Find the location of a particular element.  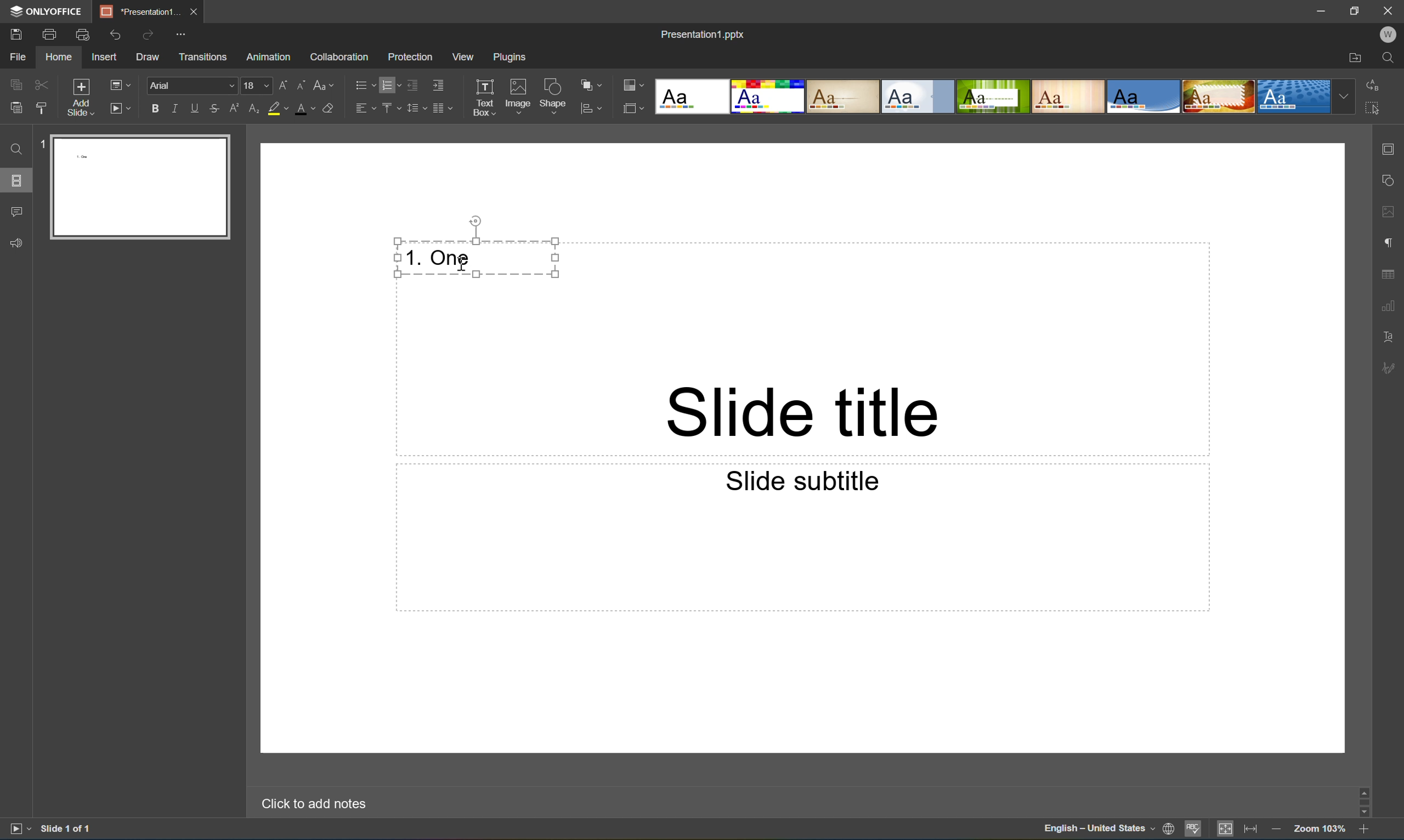

Open file location is located at coordinates (1357, 58).